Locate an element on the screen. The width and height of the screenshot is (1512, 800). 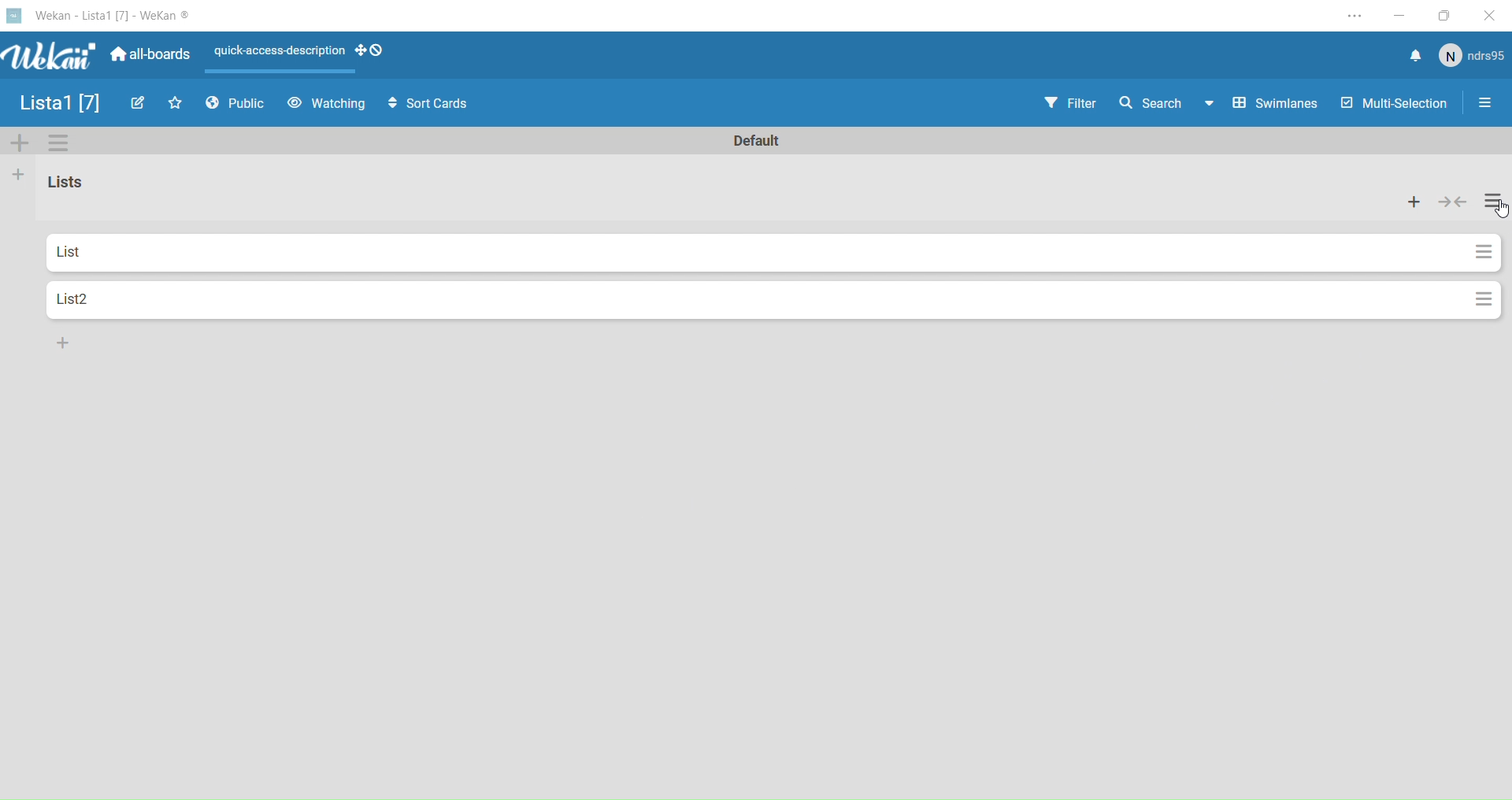
add is located at coordinates (1416, 202).